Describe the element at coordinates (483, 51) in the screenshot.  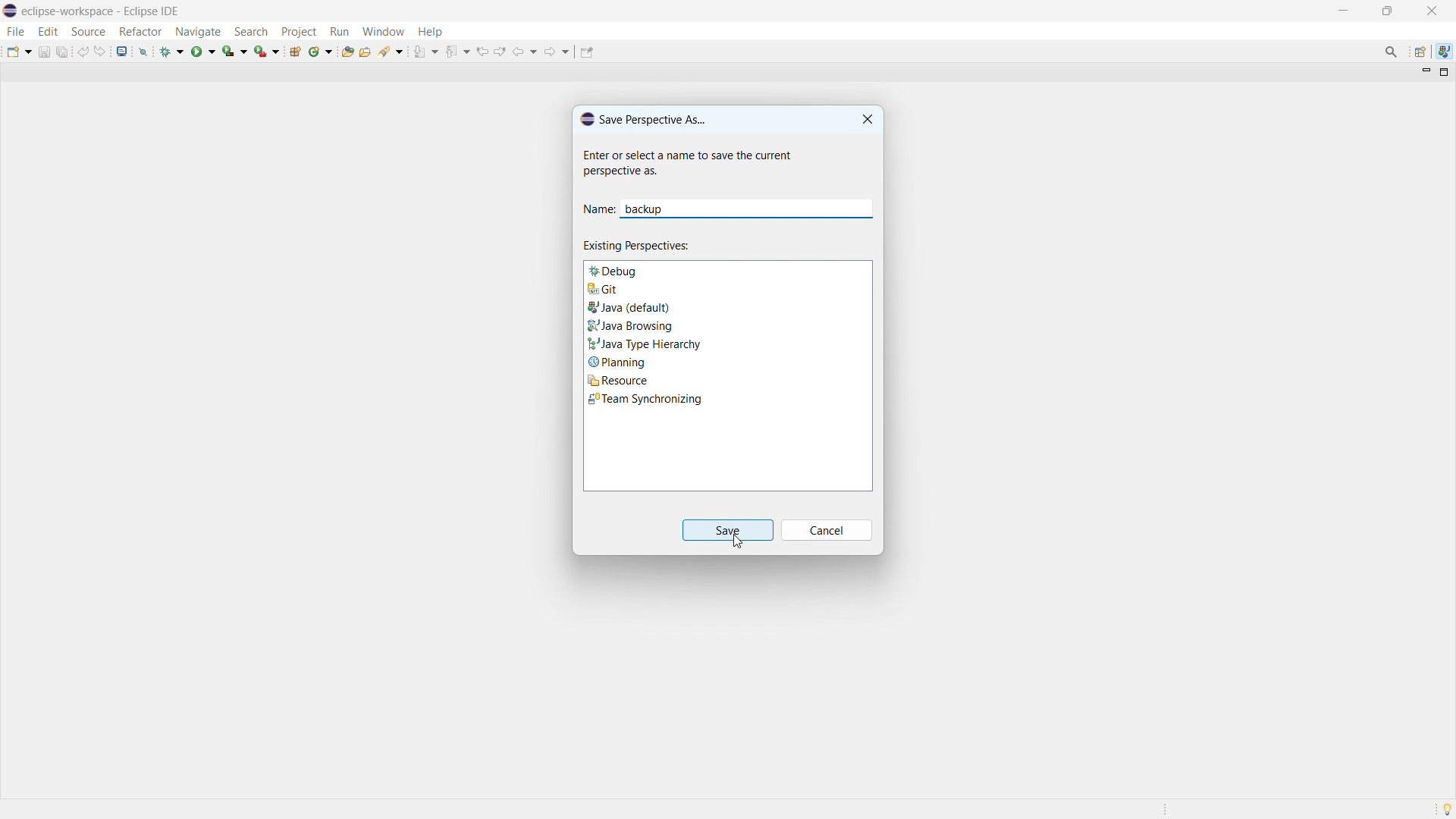
I see `view previous location` at that location.